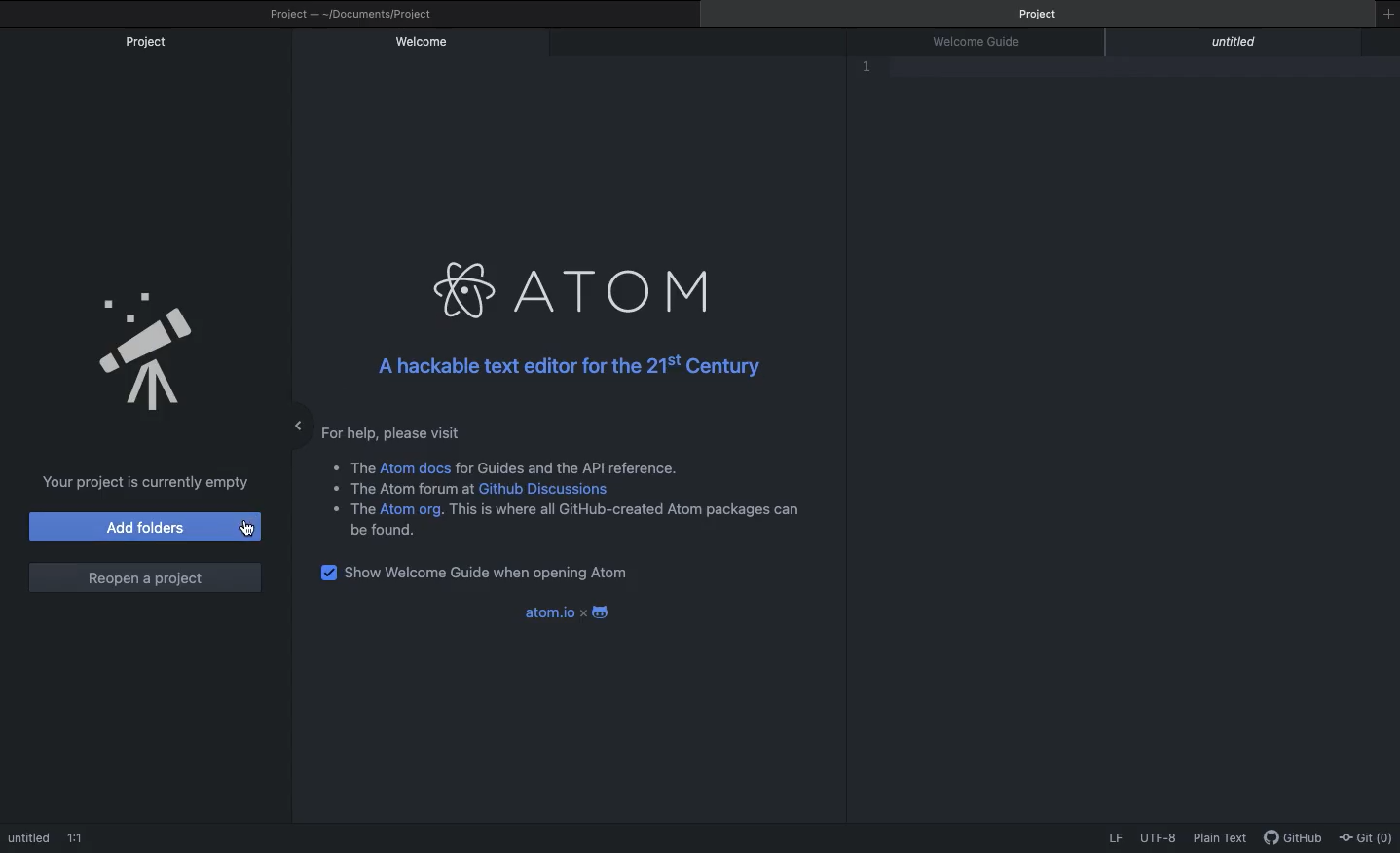 The width and height of the screenshot is (1400, 853). What do you see at coordinates (353, 15) in the screenshot?
I see `Project` at bounding box center [353, 15].